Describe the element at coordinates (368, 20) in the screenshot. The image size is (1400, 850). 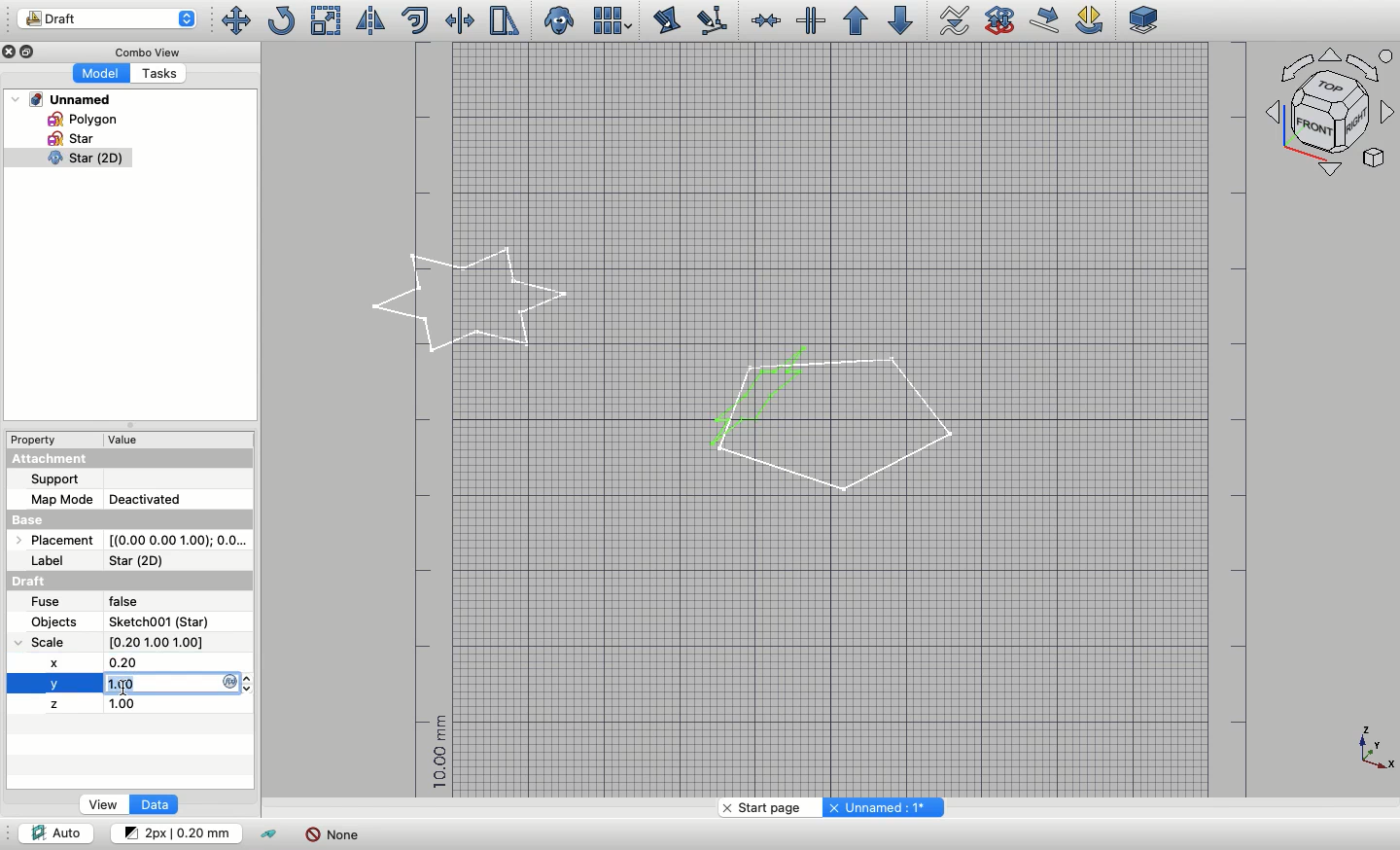
I see `Mirror` at that location.